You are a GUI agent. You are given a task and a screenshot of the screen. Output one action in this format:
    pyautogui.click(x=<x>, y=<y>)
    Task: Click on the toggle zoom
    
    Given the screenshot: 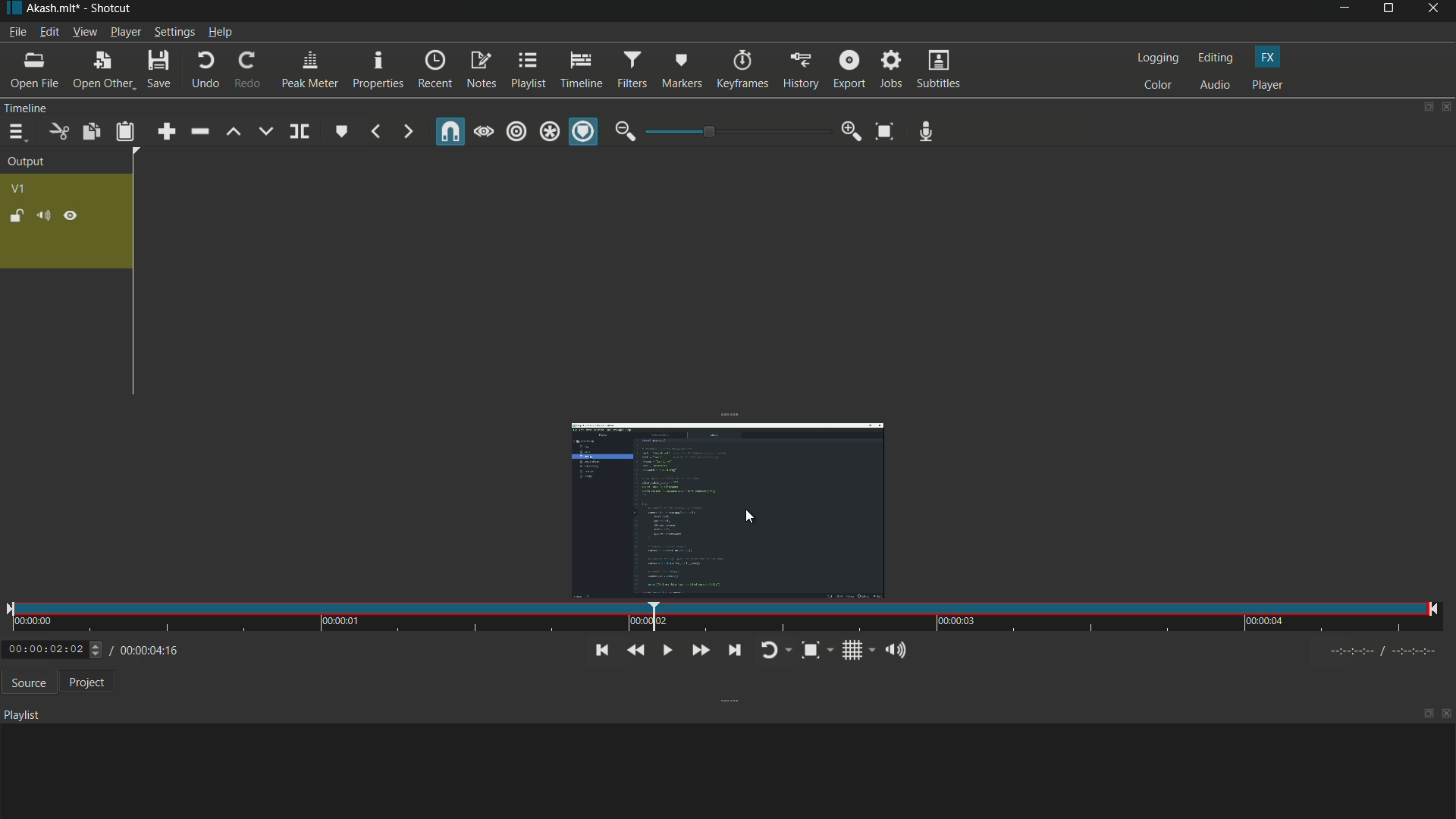 What is the action you would take?
    pyautogui.click(x=886, y=130)
    